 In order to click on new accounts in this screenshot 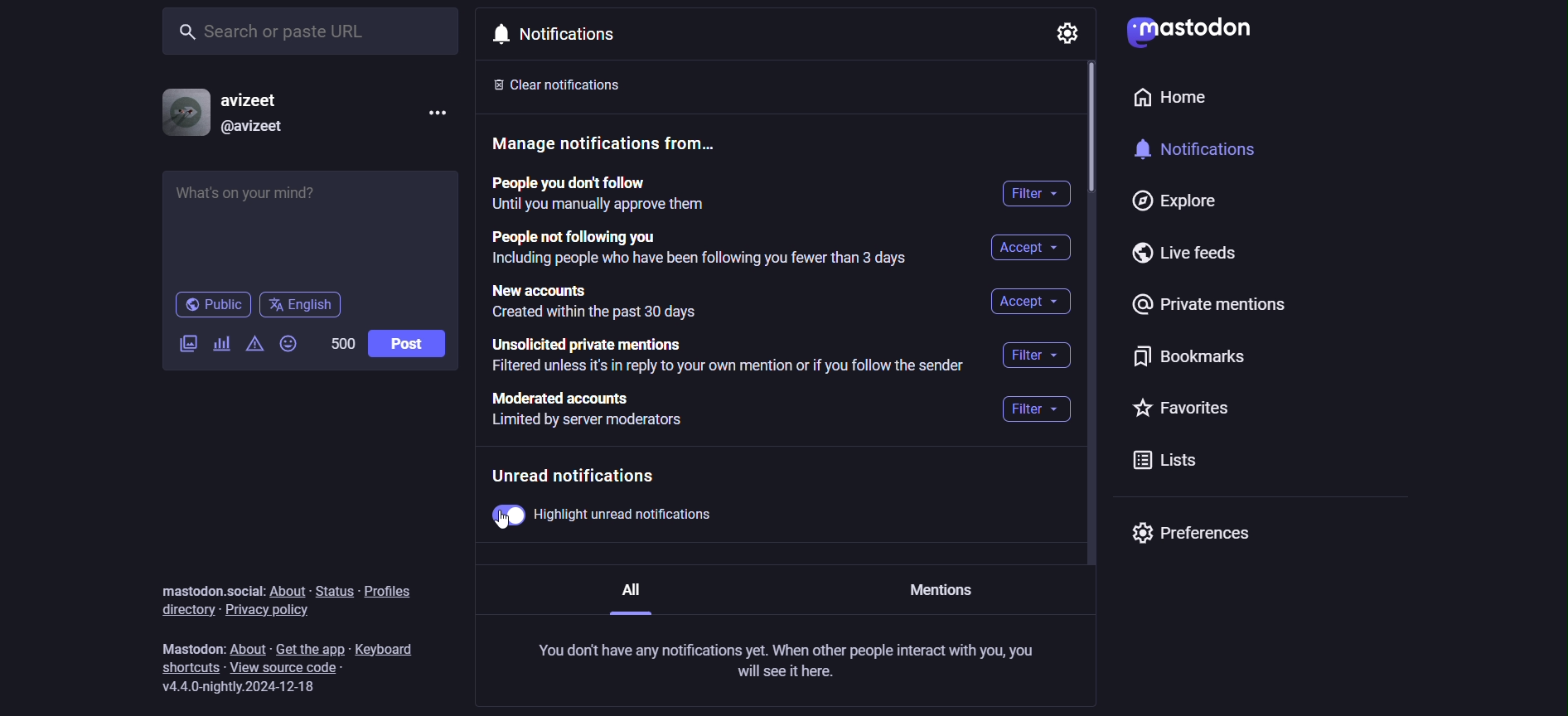, I will do `click(603, 301)`.